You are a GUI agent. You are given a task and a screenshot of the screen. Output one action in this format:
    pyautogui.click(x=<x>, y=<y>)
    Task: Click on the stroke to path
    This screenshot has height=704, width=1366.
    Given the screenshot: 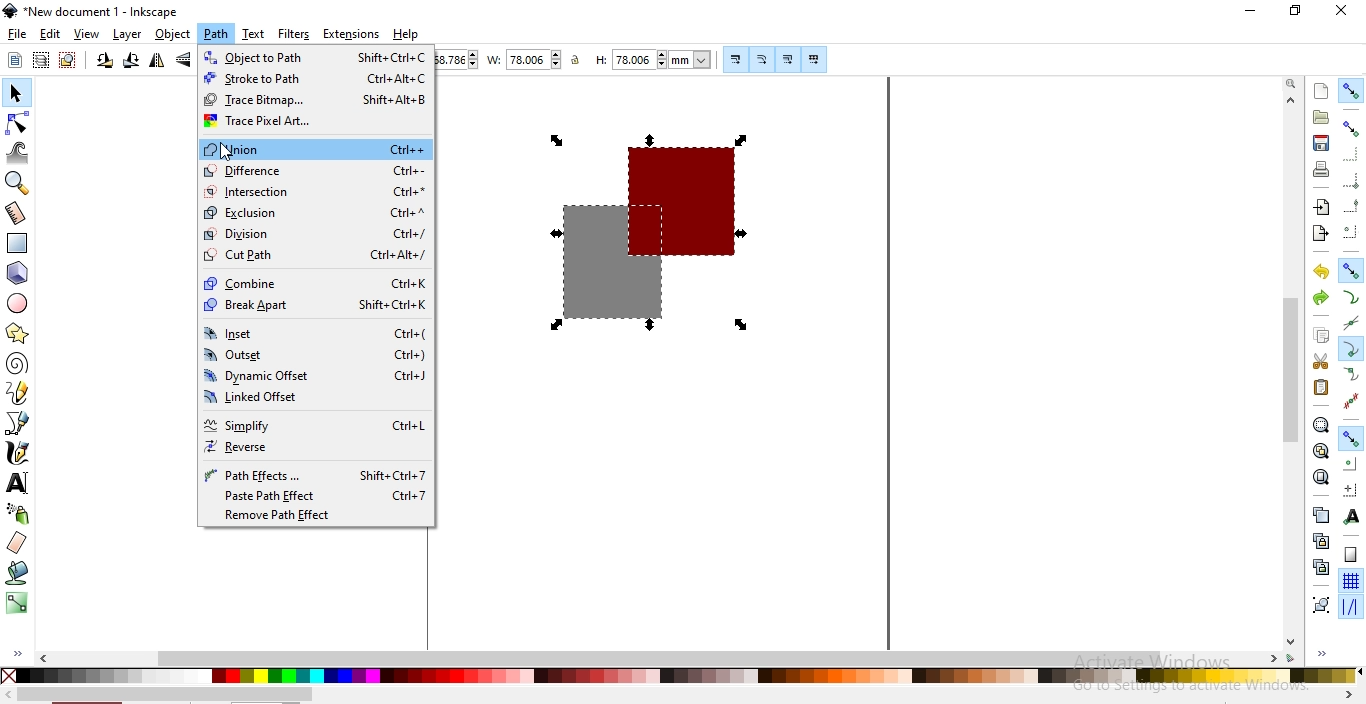 What is the action you would take?
    pyautogui.click(x=313, y=80)
    